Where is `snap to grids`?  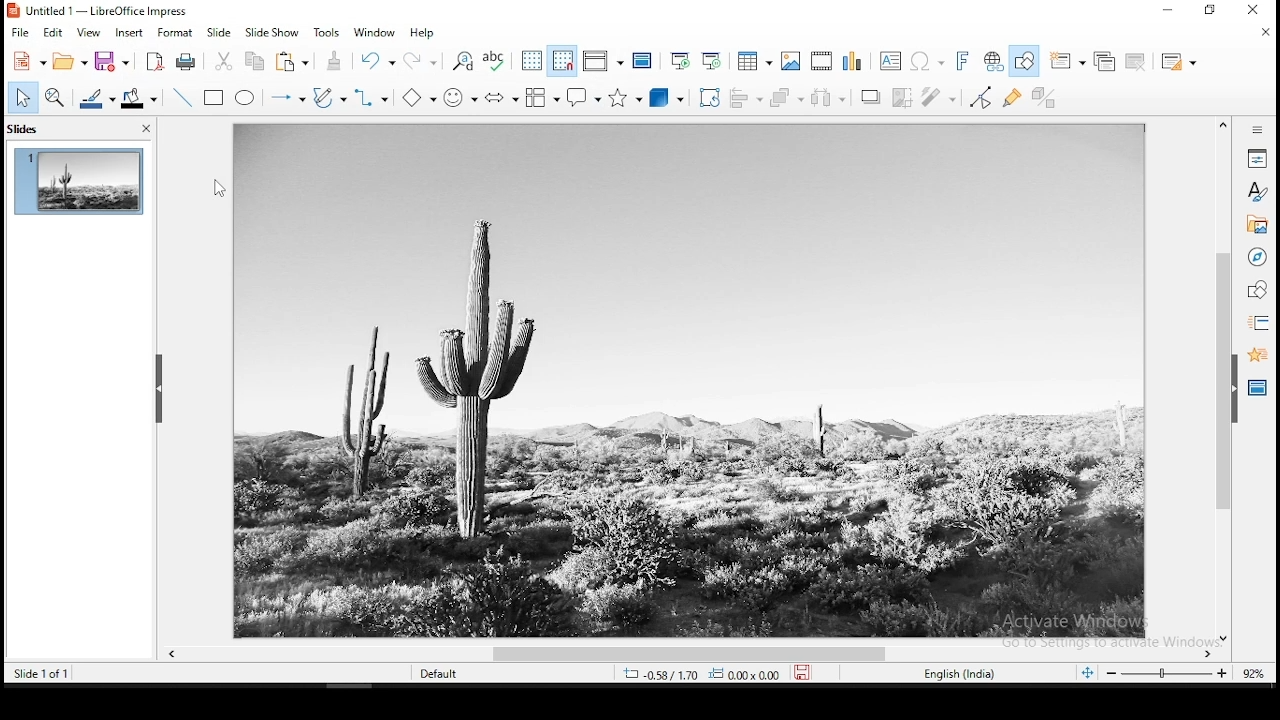
snap to grids is located at coordinates (563, 61).